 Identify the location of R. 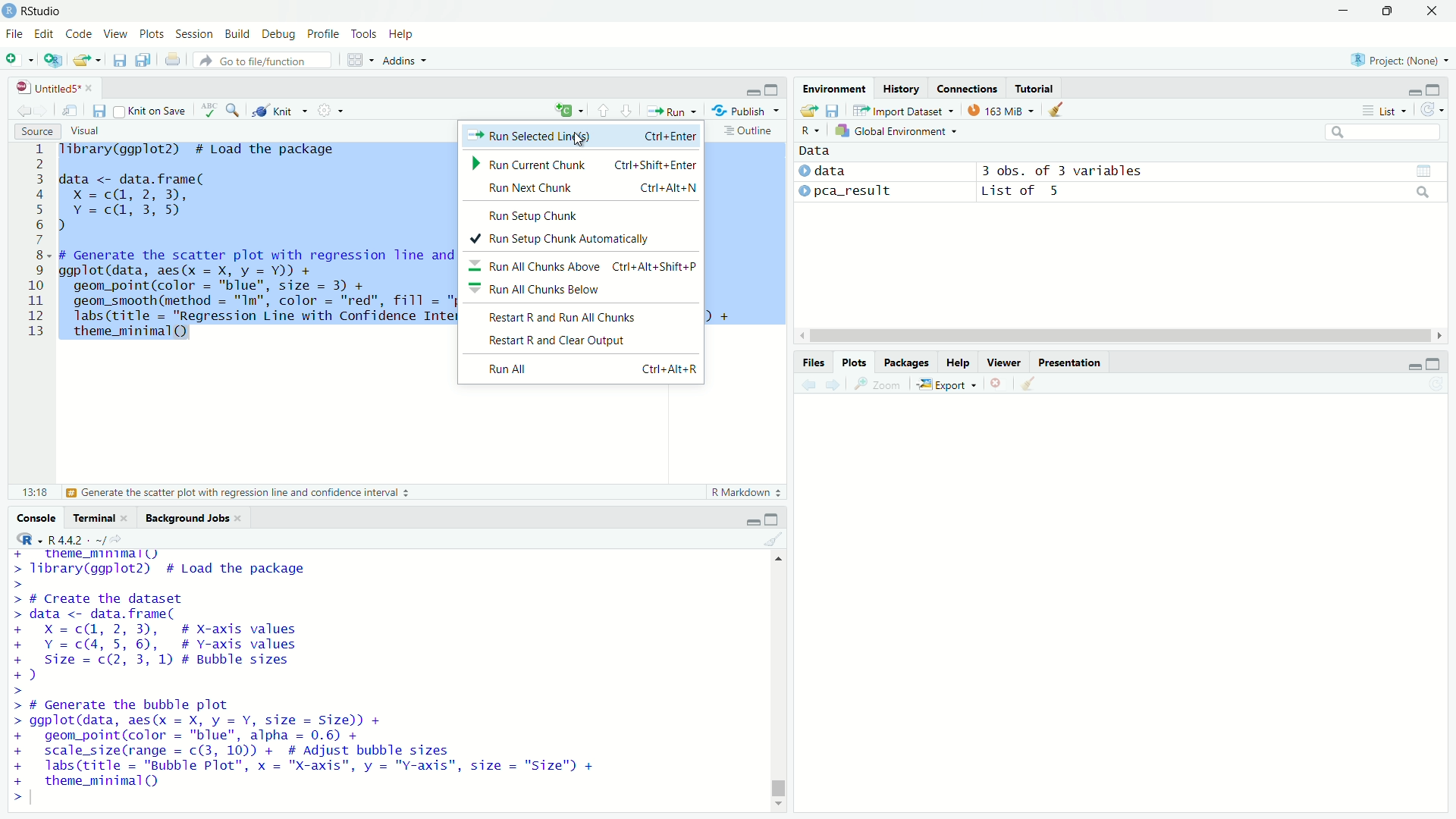
(26, 539).